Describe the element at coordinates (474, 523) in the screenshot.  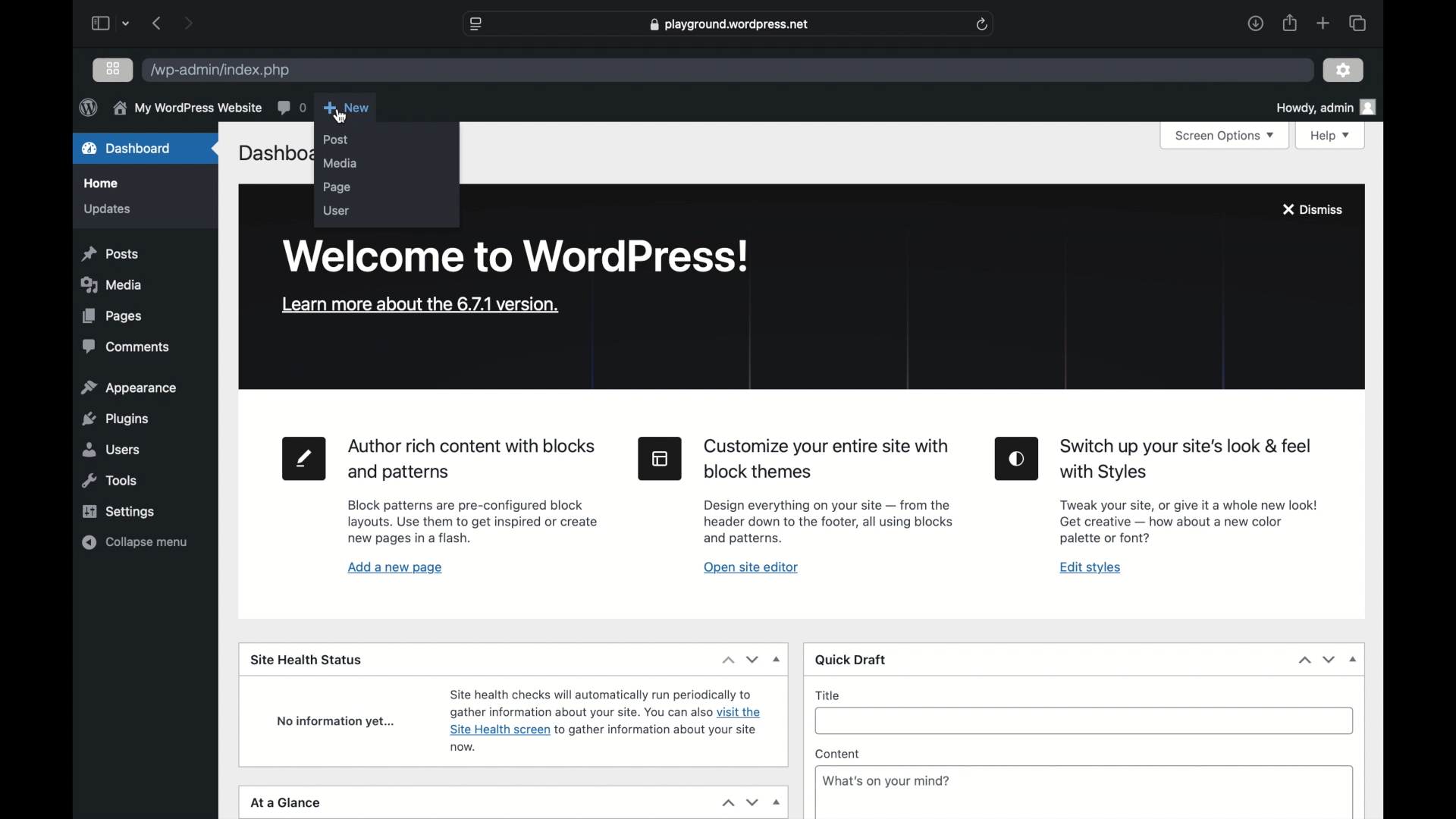
I see `Page tool information` at that location.